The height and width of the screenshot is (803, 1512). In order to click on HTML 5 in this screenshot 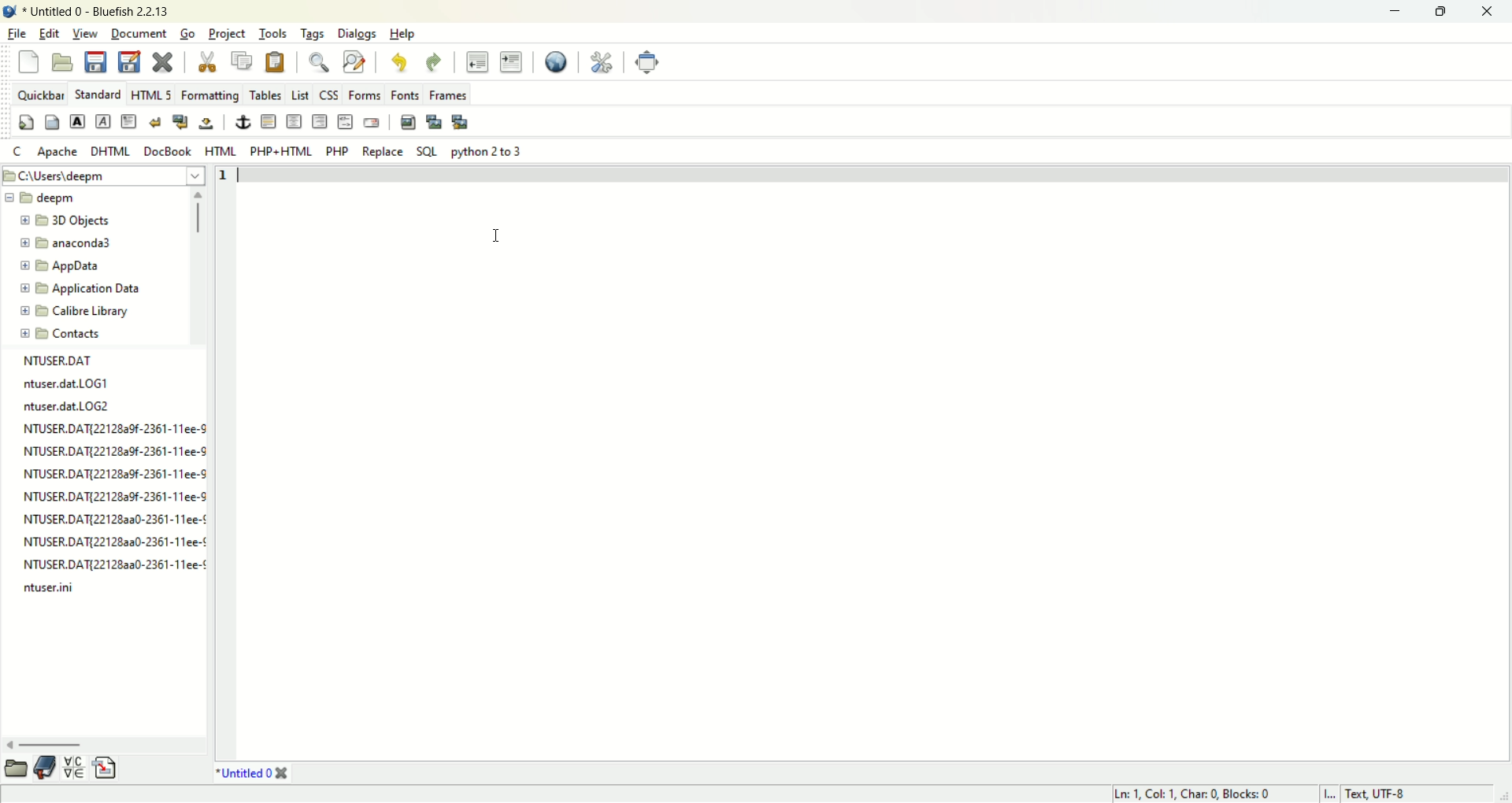, I will do `click(153, 94)`.